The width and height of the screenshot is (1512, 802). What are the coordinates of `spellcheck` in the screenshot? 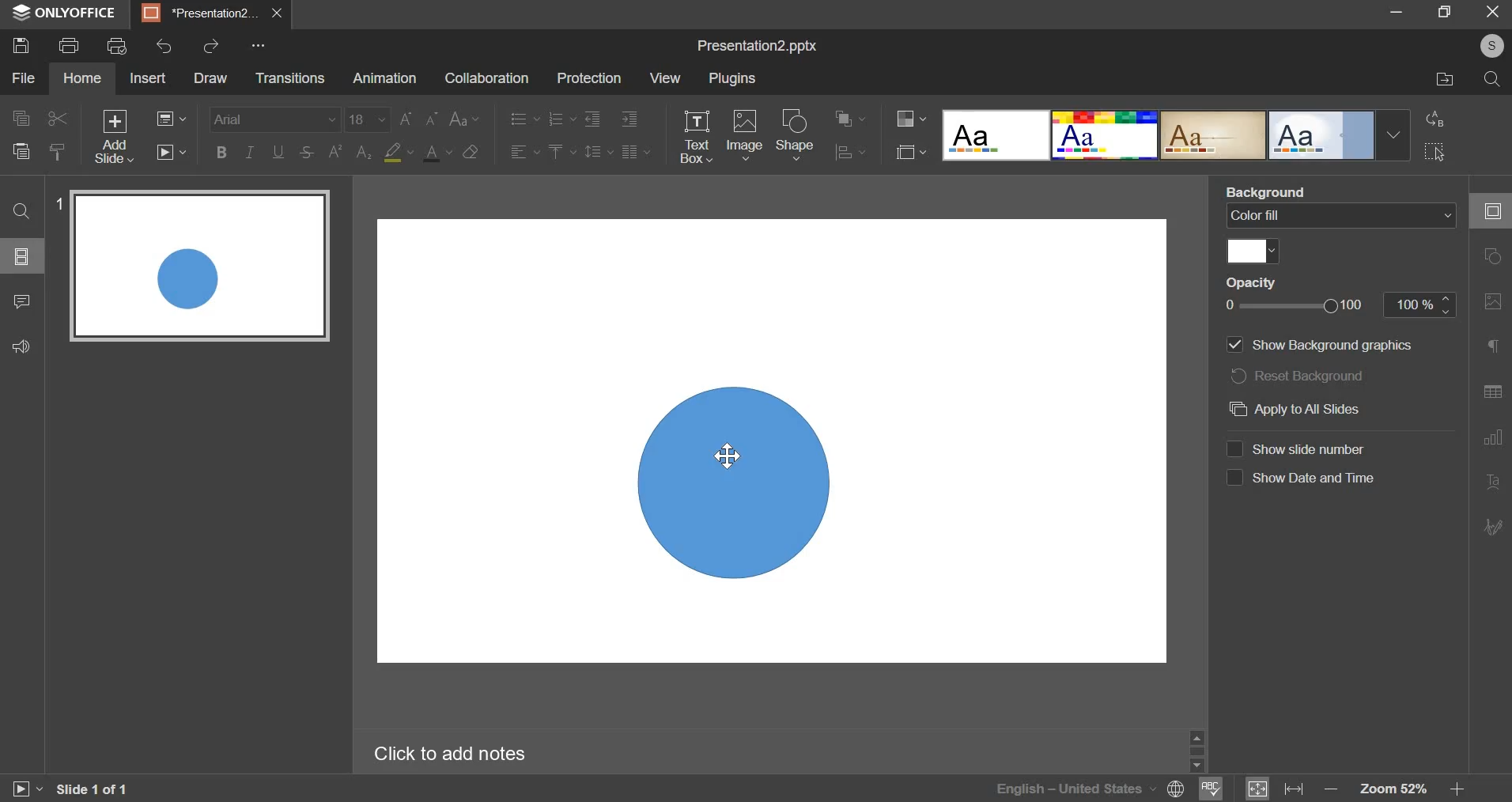 It's located at (1212, 786).